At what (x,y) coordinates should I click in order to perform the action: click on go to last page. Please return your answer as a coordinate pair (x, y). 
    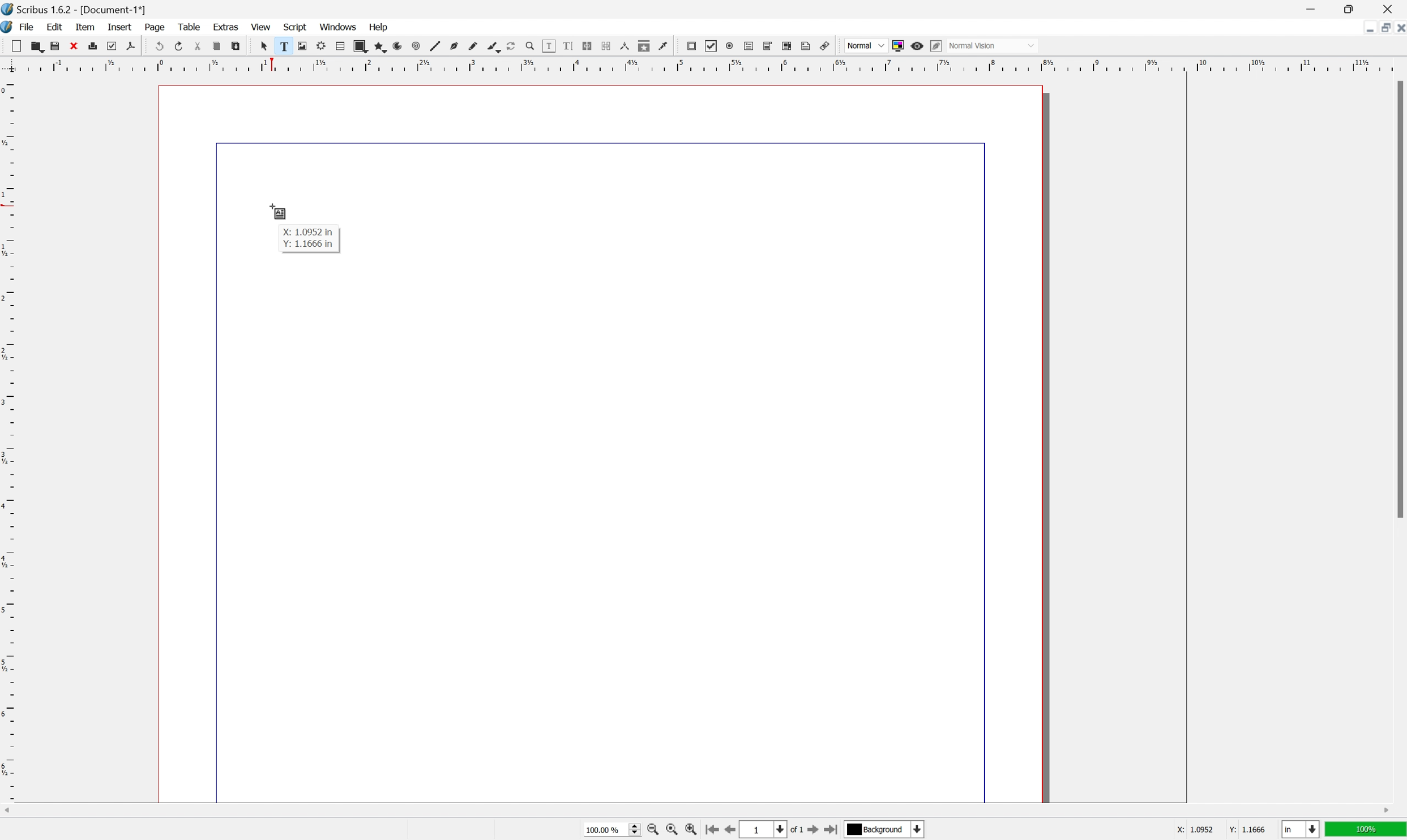
    Looking at the image, I should click on (835, 832).